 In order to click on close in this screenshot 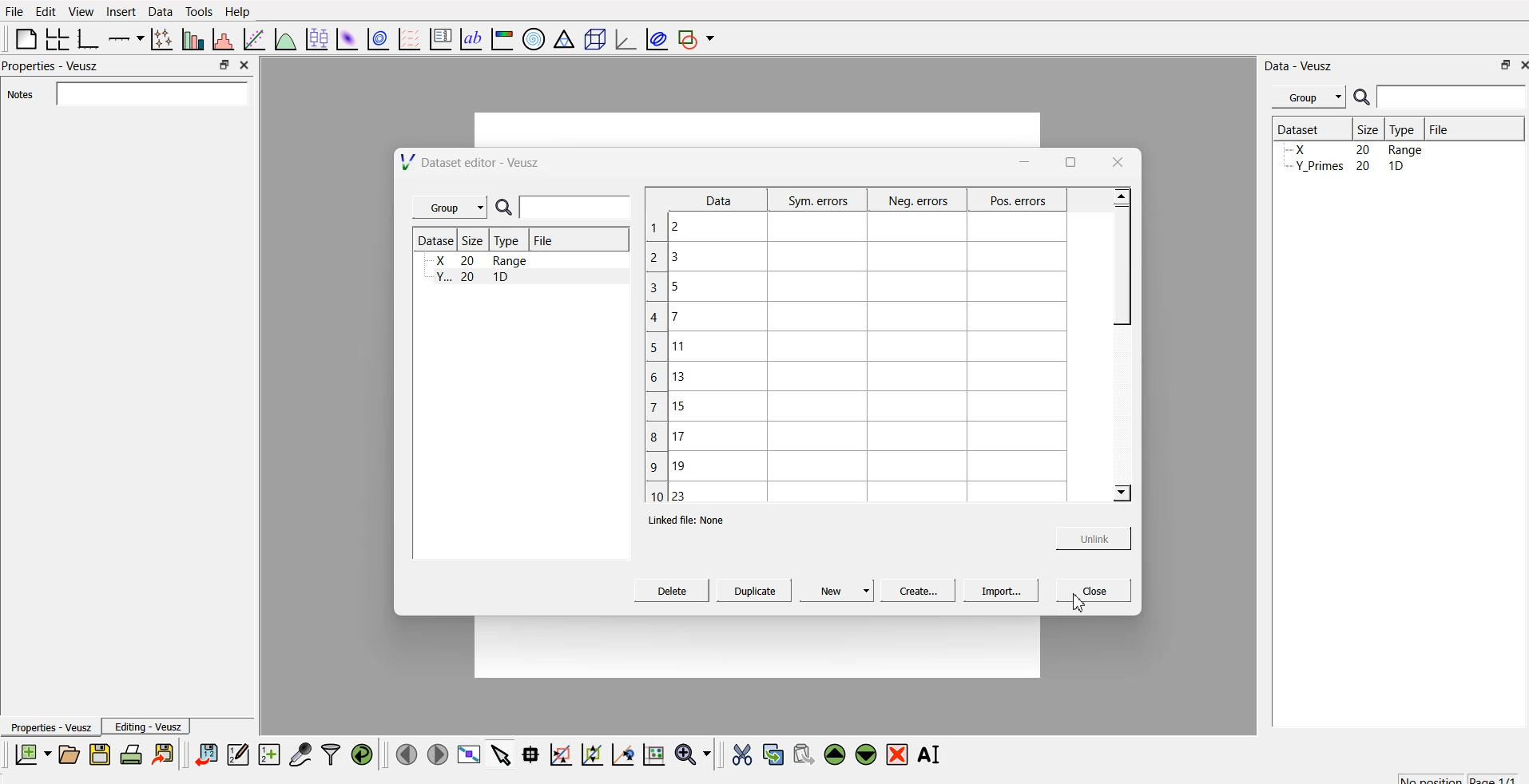, I will do `click(1123, 159)`.